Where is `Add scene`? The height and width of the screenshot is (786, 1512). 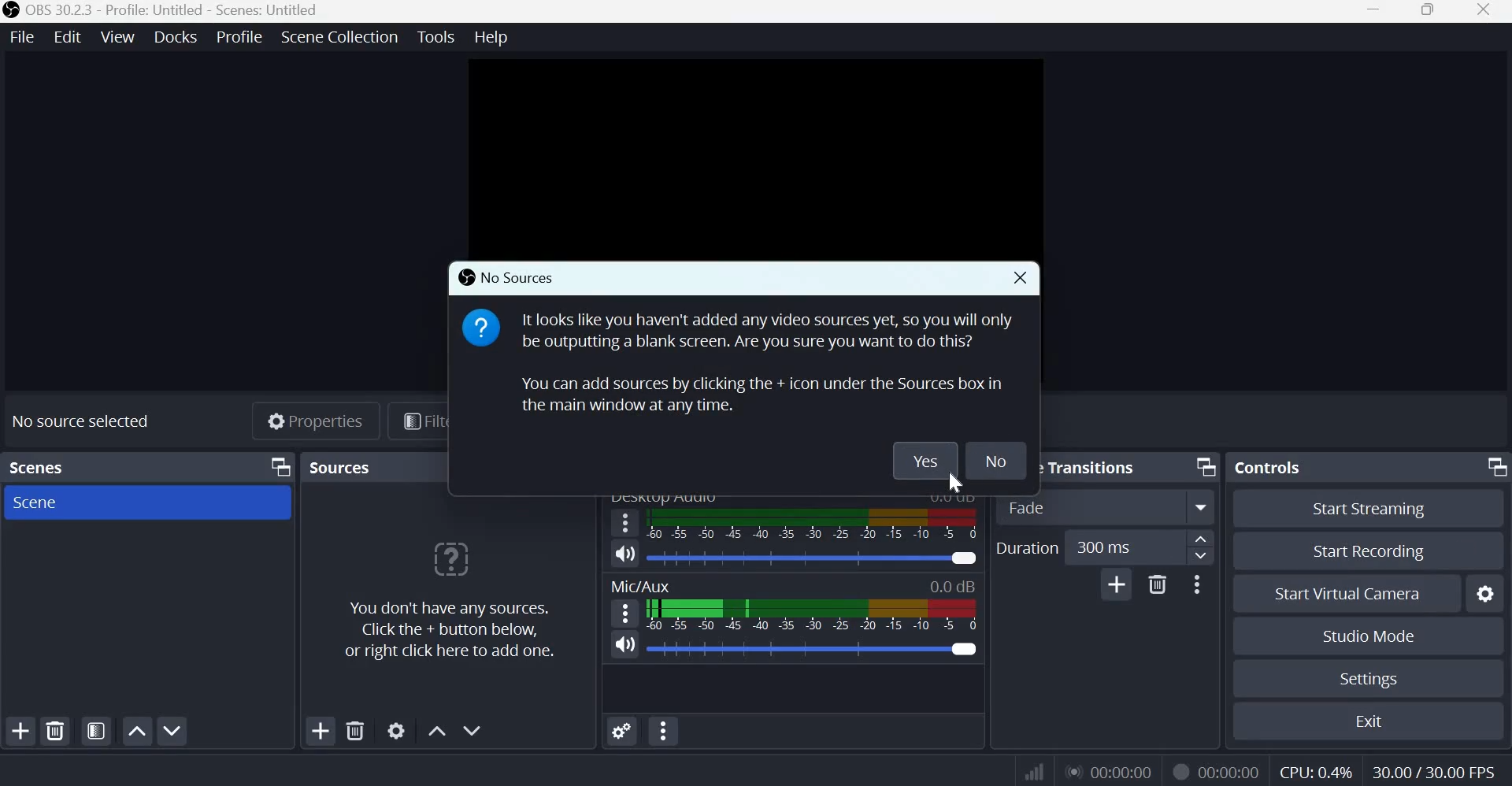
Add scene is located at coordinates (20, 729).